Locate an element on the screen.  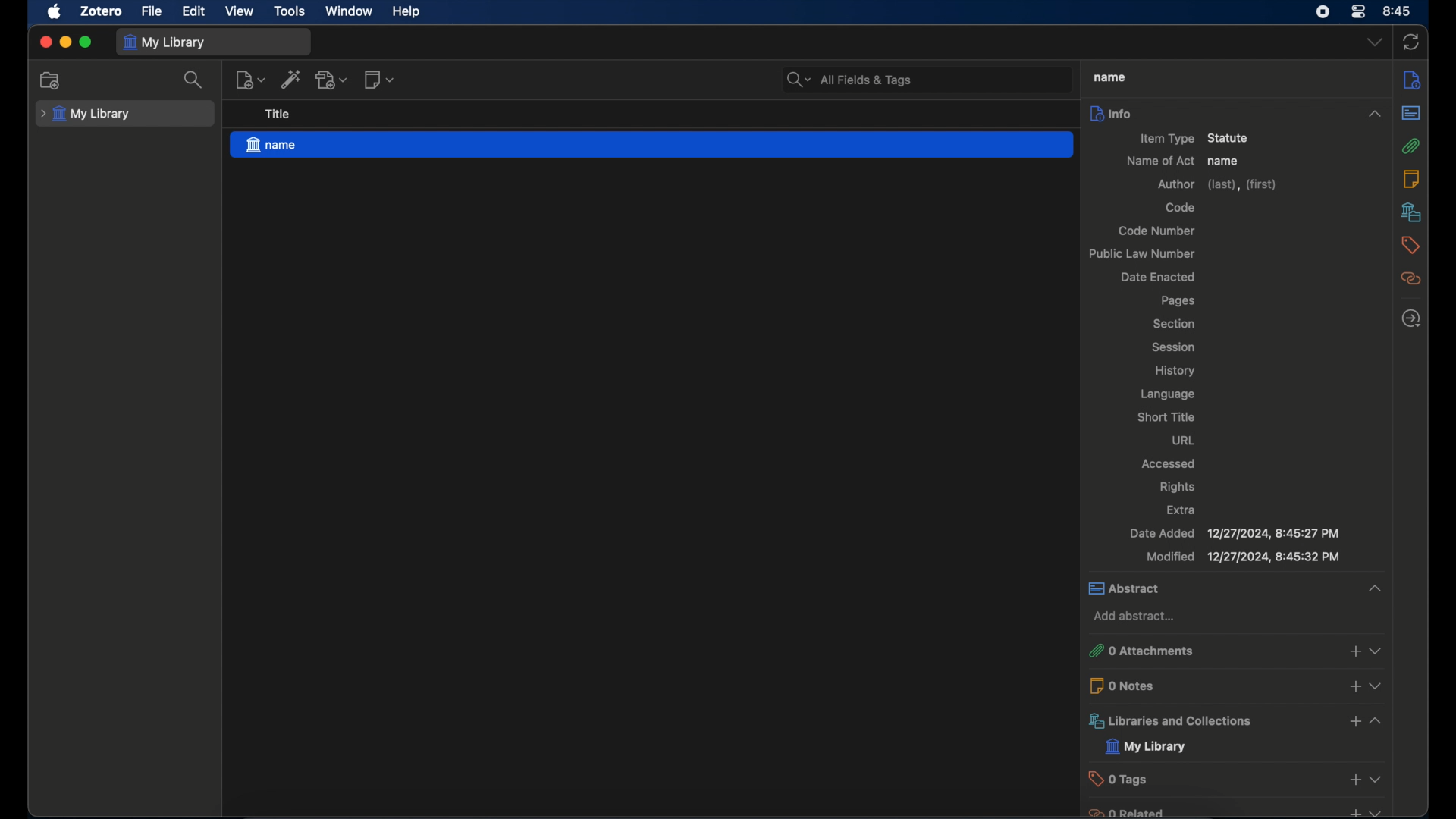
view is located at coordinates (240, 11).